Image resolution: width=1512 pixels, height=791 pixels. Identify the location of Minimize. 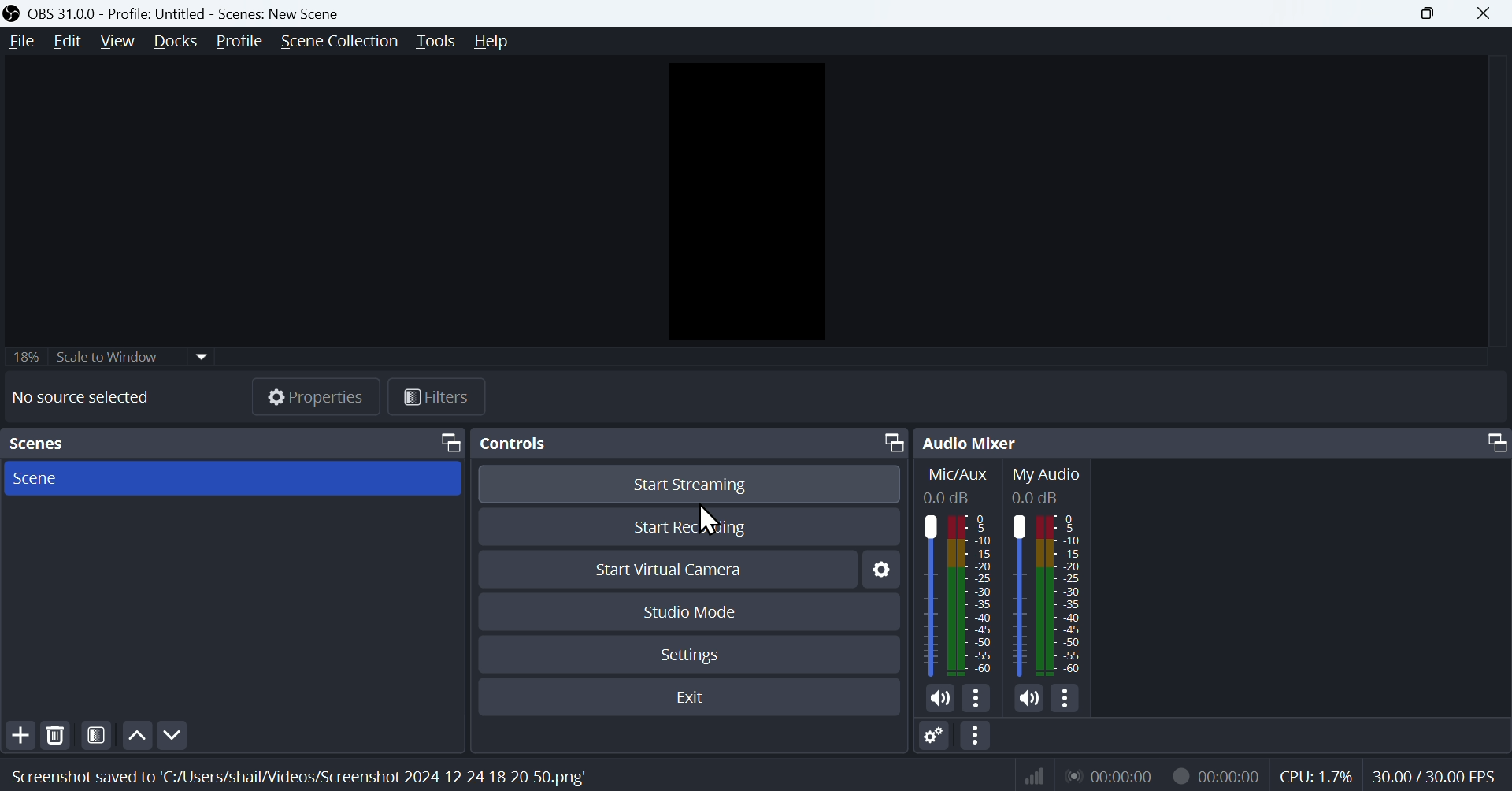
(1373, 13).